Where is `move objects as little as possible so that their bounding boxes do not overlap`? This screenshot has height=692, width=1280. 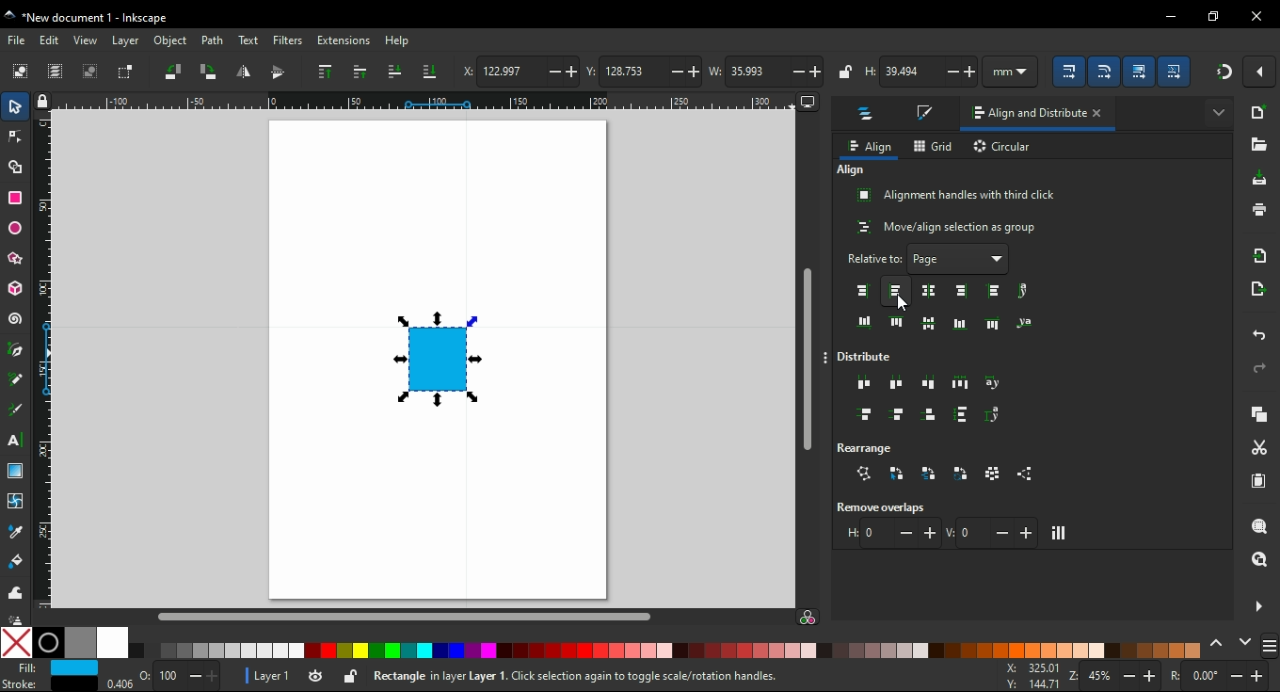
move objects as little as possible so that their bounding boxes do not overlap is located at coordinates (1061, 533).